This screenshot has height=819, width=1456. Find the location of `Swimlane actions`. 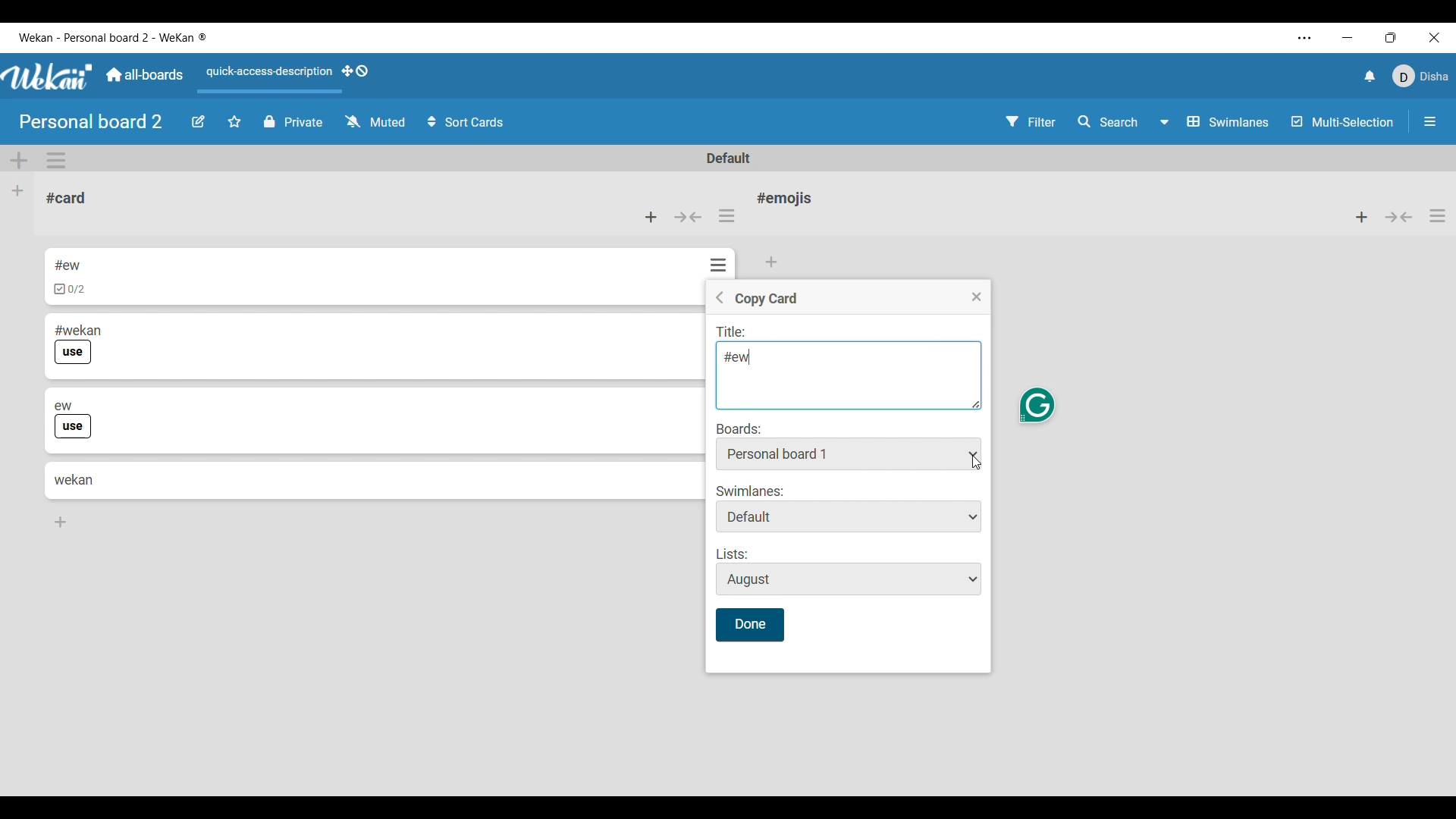

Swimlane actions is located at coordinates (56, 161).